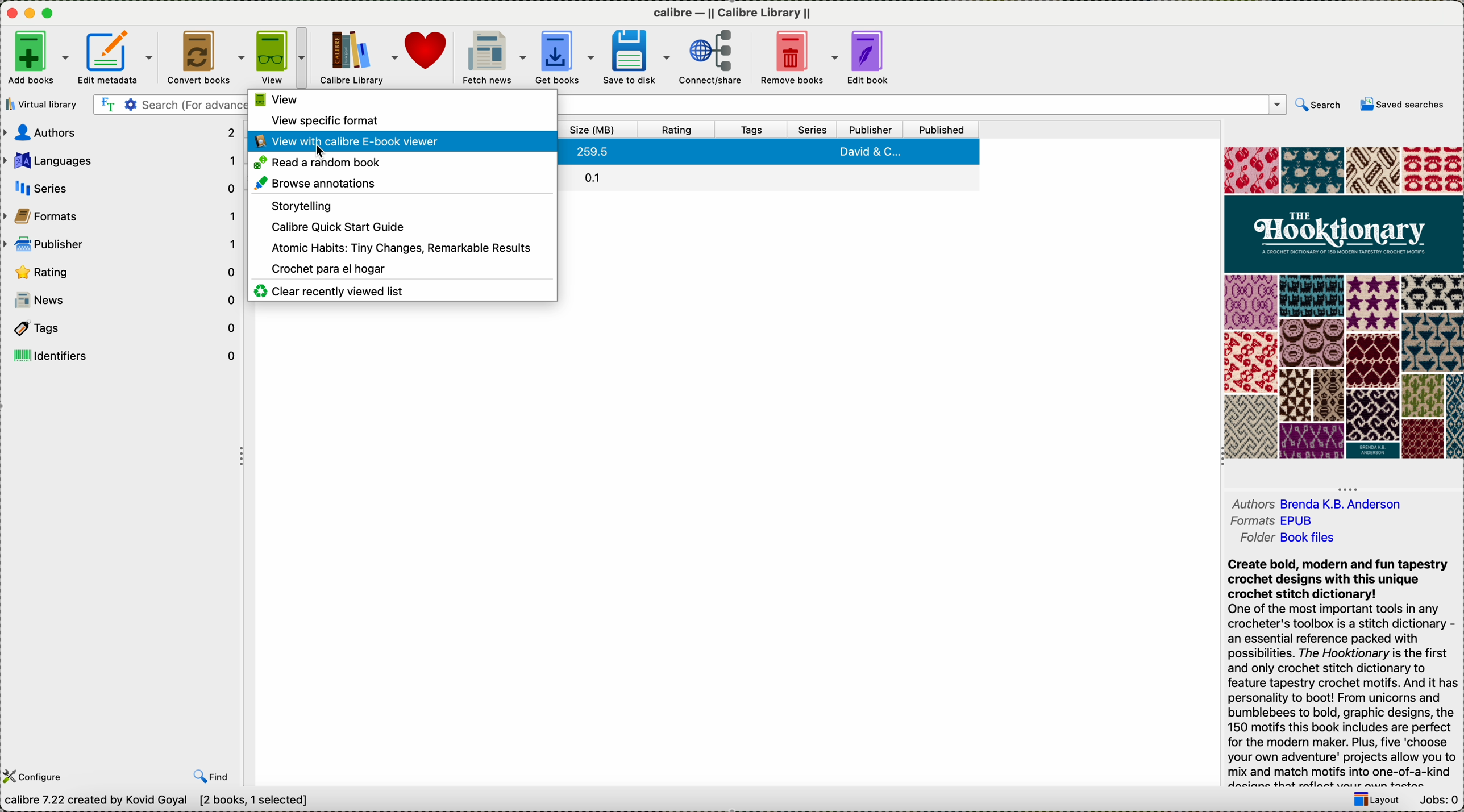 The height and width of the screenshot is (812, 1464). Describe the element at coordinates (116, 57) in the screenshot. I see `edit metadata` at that location.